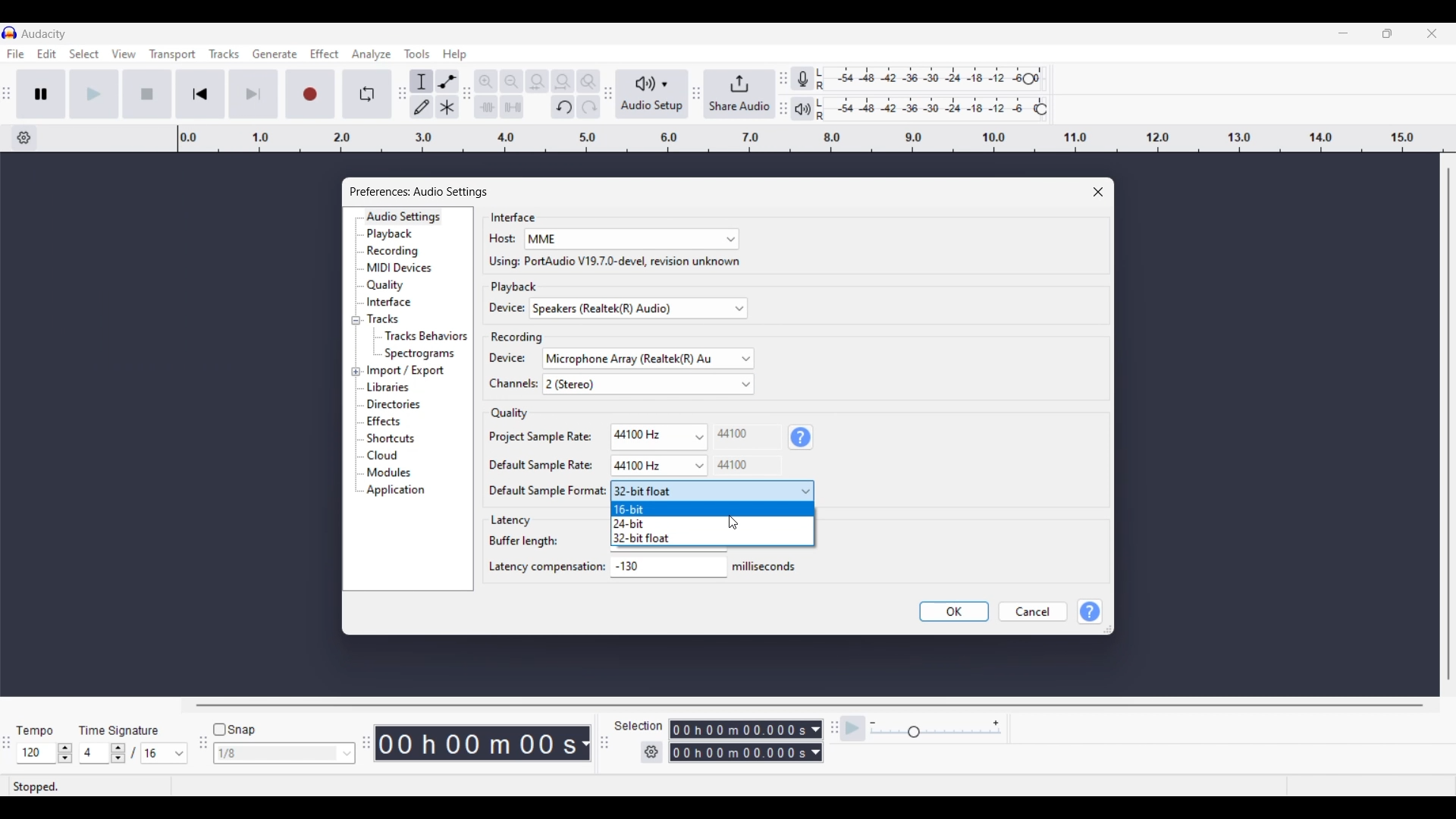 This screenshot has height=819, width=1456. What do you see at coordinates (427, 335) in the screenshot?
I see `Track behaviours` at bounding box center [427, 335].